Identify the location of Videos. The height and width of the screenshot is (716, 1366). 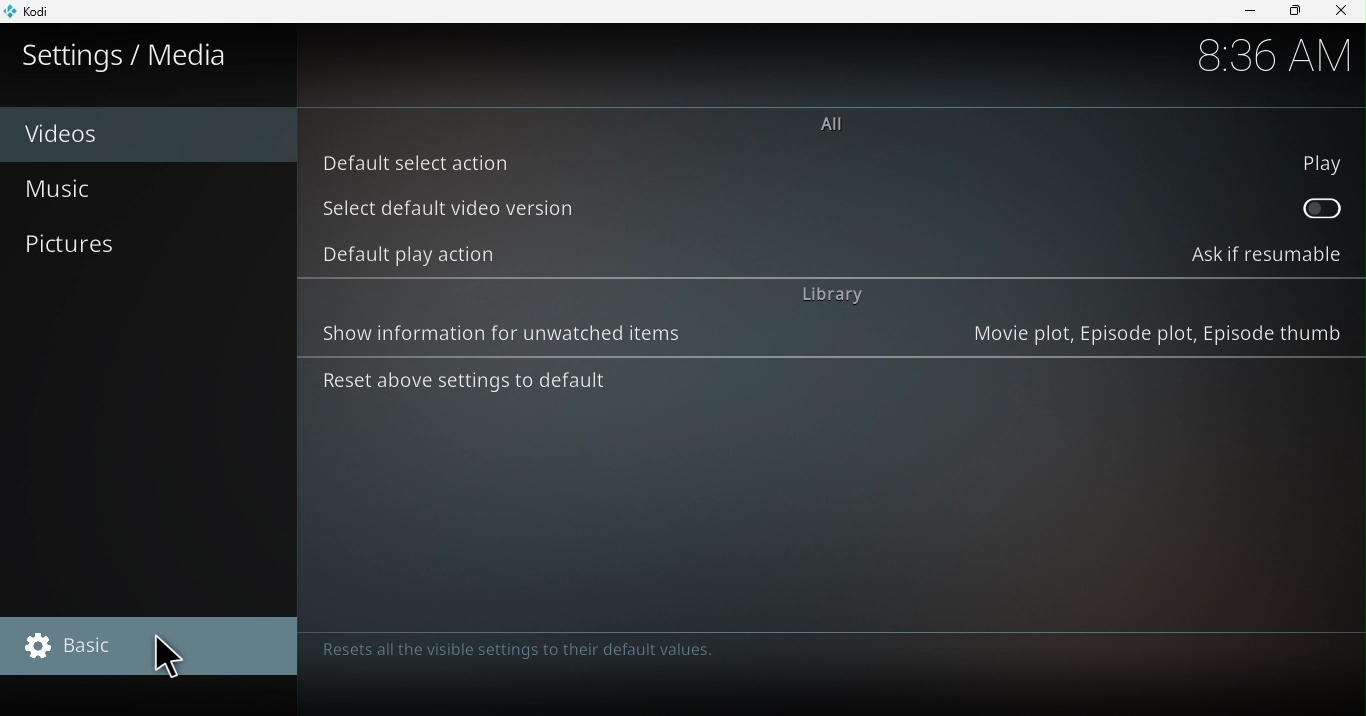
(148, 130).